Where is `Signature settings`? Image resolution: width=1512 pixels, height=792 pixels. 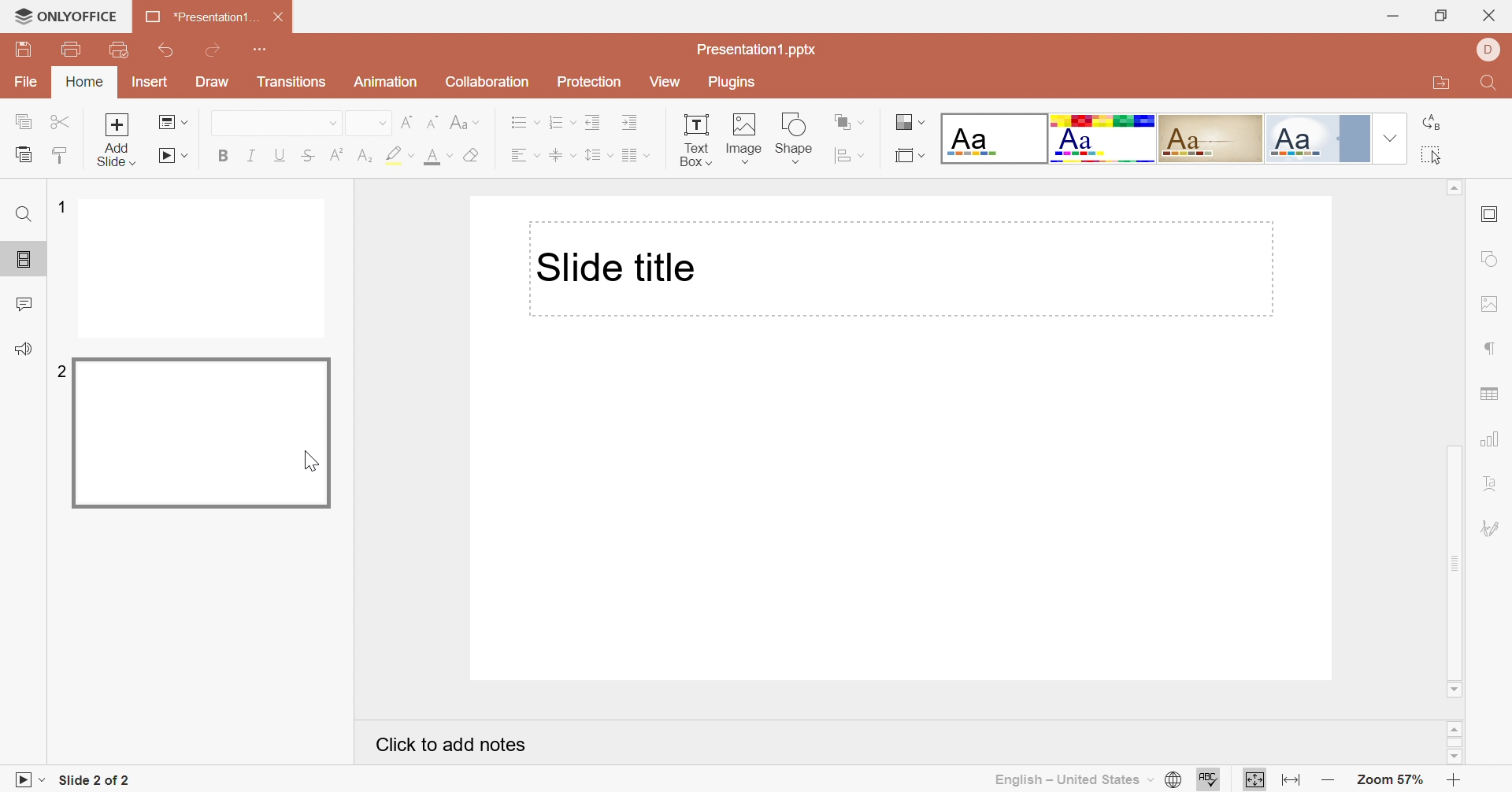
Signature settings is located at coordinates (1493, 527).